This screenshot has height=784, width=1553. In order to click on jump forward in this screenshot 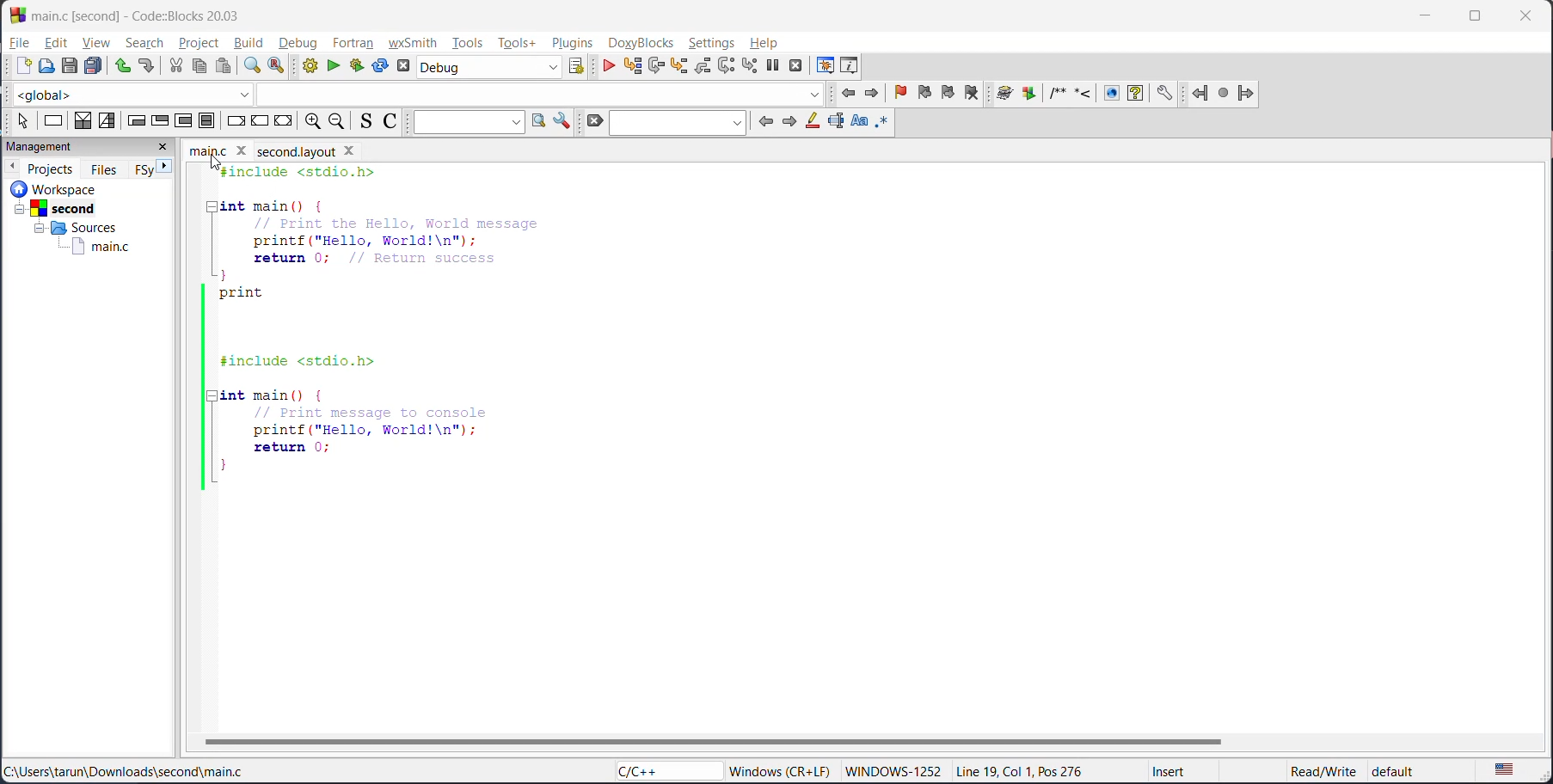, I will do `click(873, 95)`.